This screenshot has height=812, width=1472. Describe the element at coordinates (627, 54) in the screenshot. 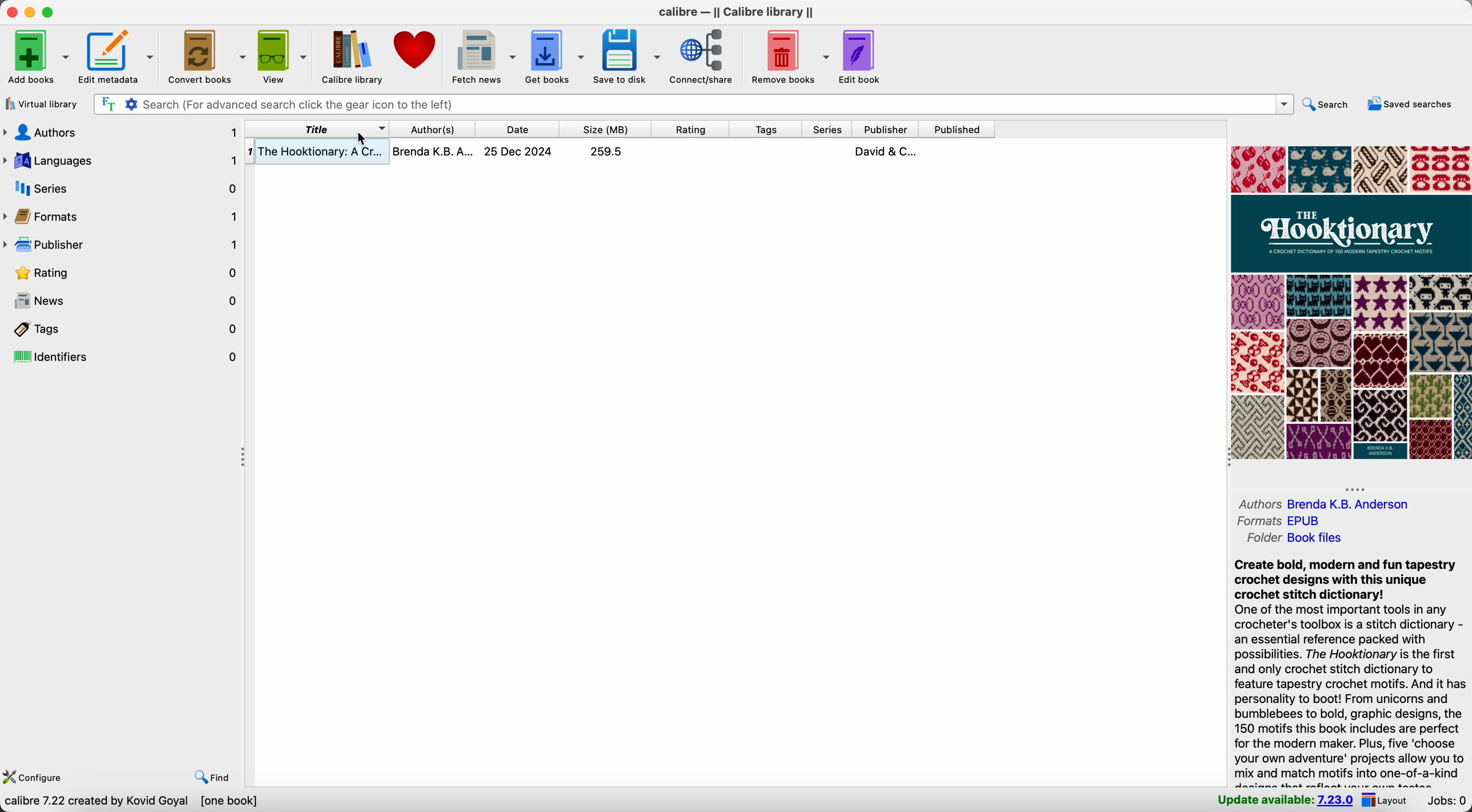

I see `save to disk` at that location.